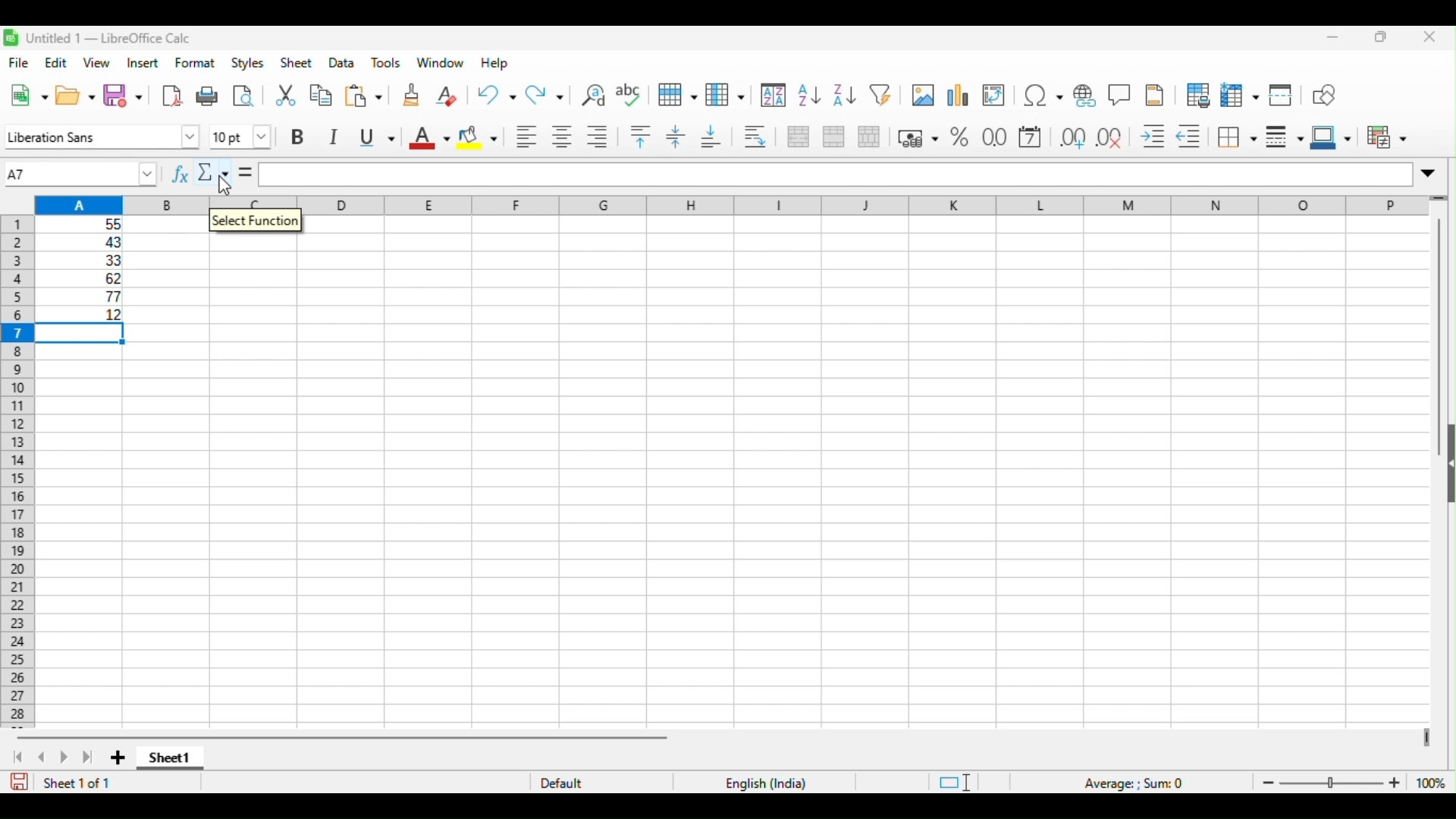 This screenshot has height=819, width=1456. What do you see at coordinates (118, 756) in the screenshot?
I see `add new sheet` at bounding box center [118, 756].